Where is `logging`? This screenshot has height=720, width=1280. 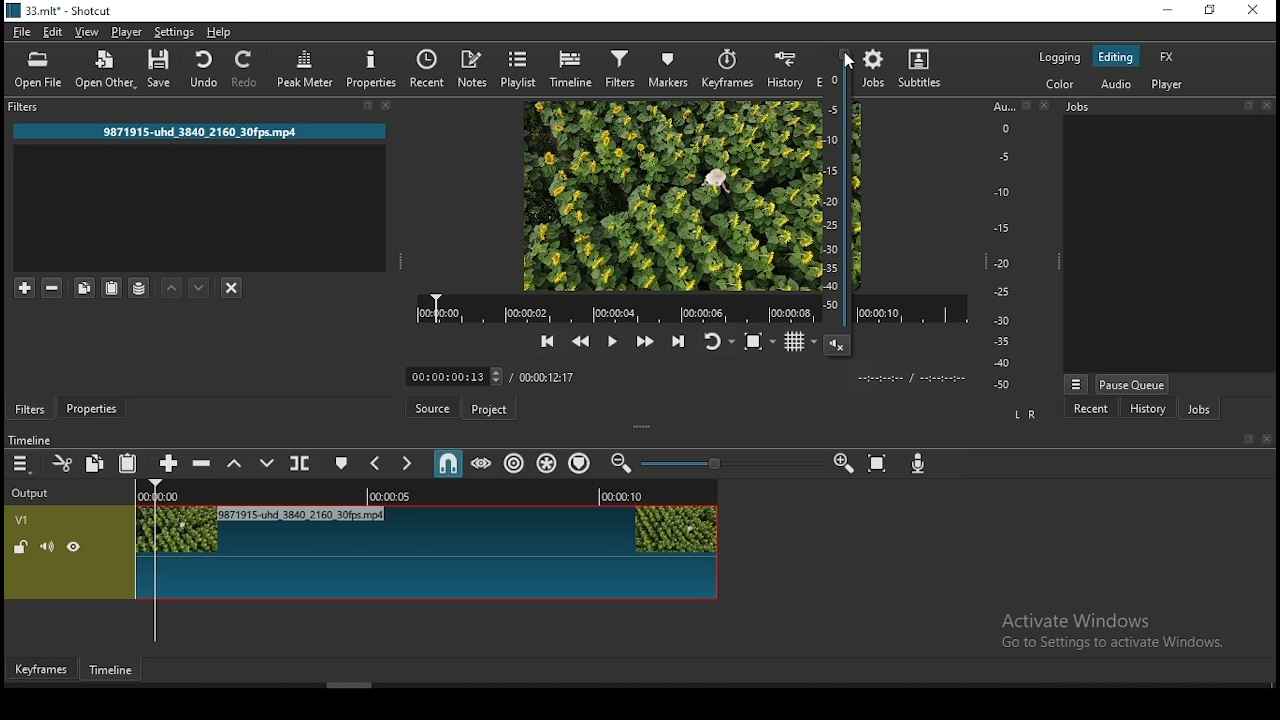 logging is located at coordinates (1063, 58).